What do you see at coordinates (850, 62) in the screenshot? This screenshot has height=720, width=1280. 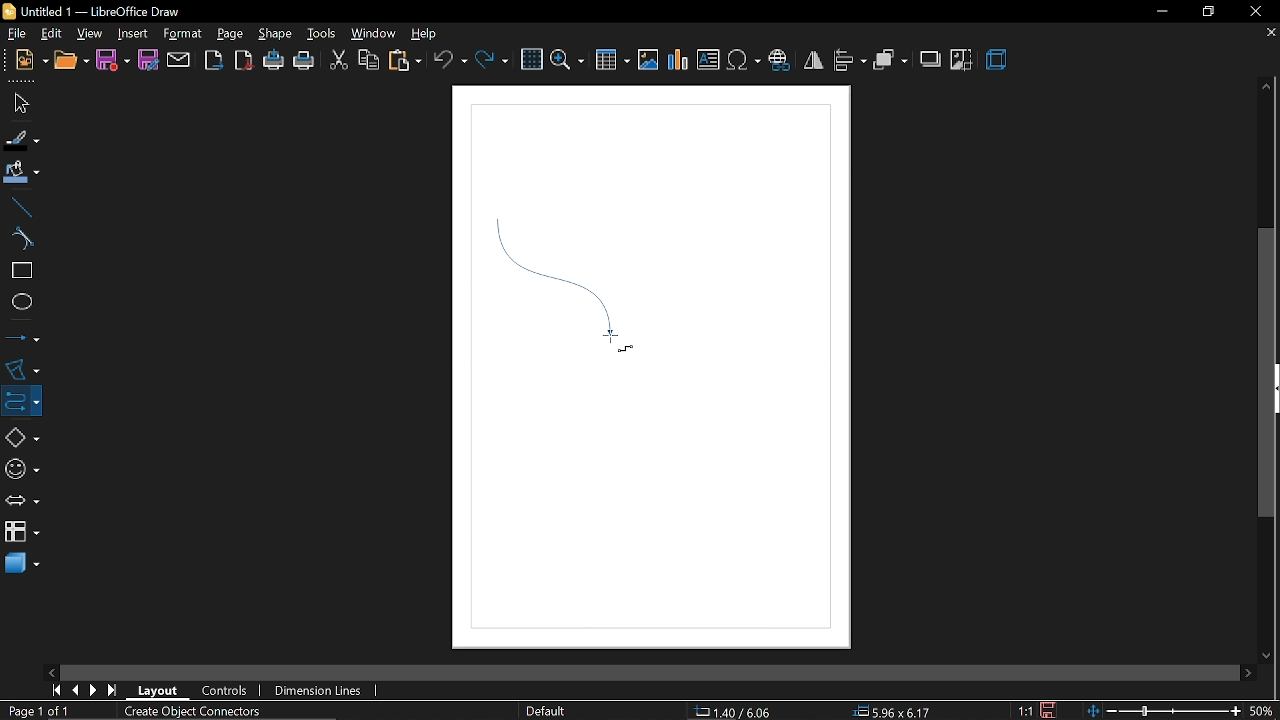 I see `align` at bounding box center [850, 62].